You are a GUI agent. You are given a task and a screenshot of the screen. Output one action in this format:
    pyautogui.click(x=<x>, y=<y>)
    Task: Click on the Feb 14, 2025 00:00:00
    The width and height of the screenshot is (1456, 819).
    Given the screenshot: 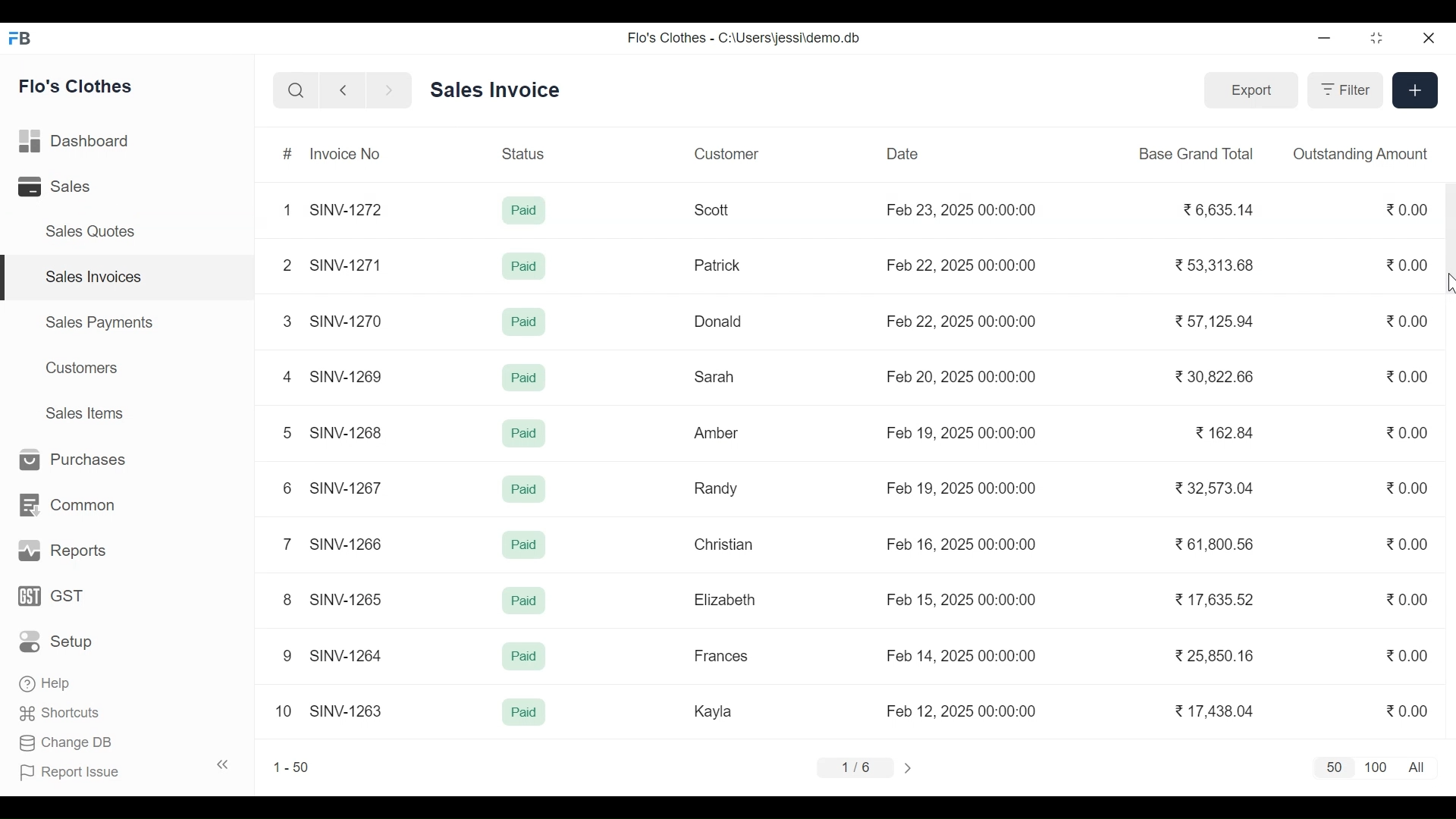 What is the action you would take?
    pyautogui.click(x=962, y=655)
    